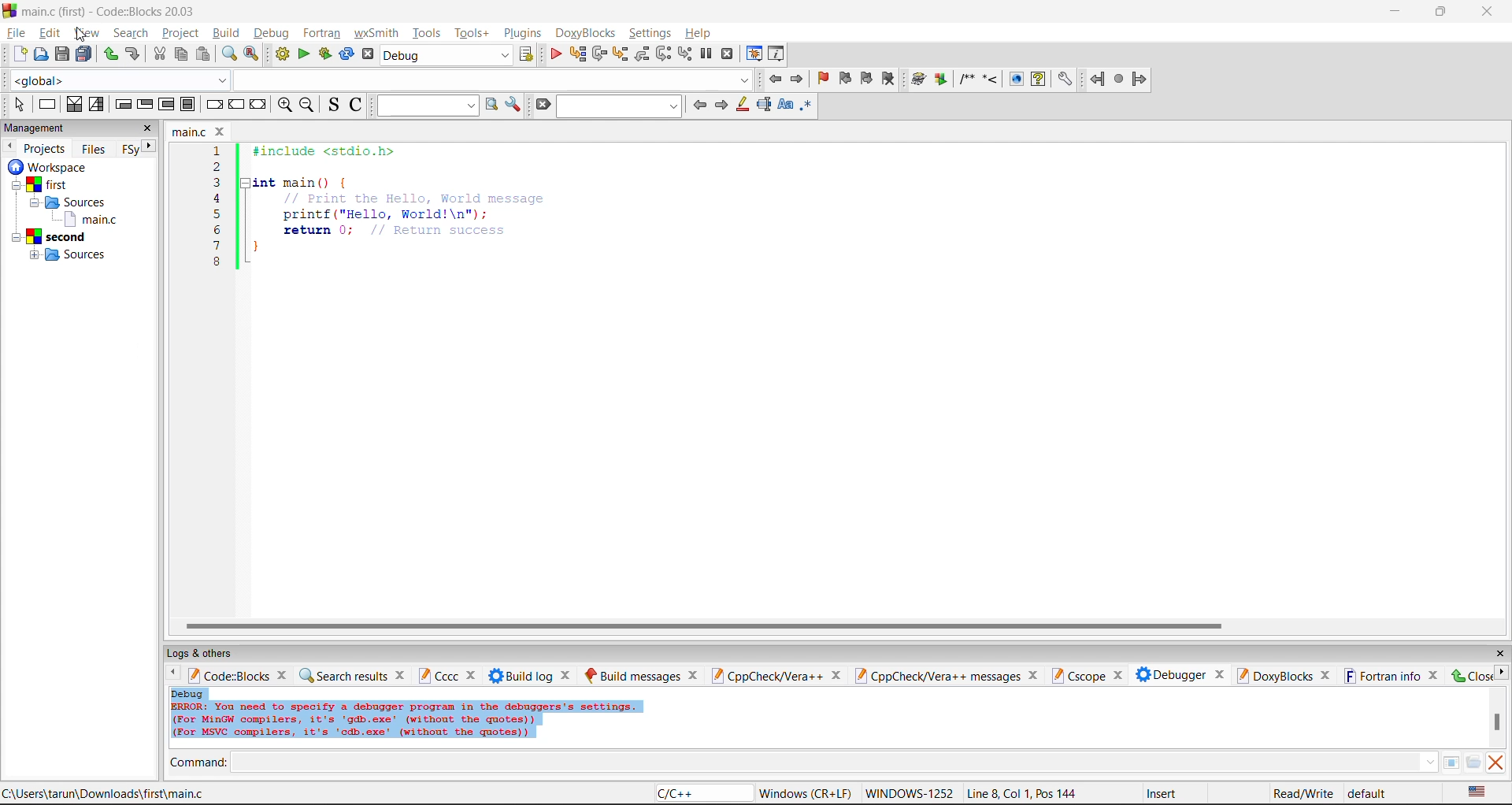 The height and width of the screenshot is (805, 1512). What do you see at coordinates (776, 677) in the screenshot?
I see `cppcheck/vera++` at bounding box center [776, 677].